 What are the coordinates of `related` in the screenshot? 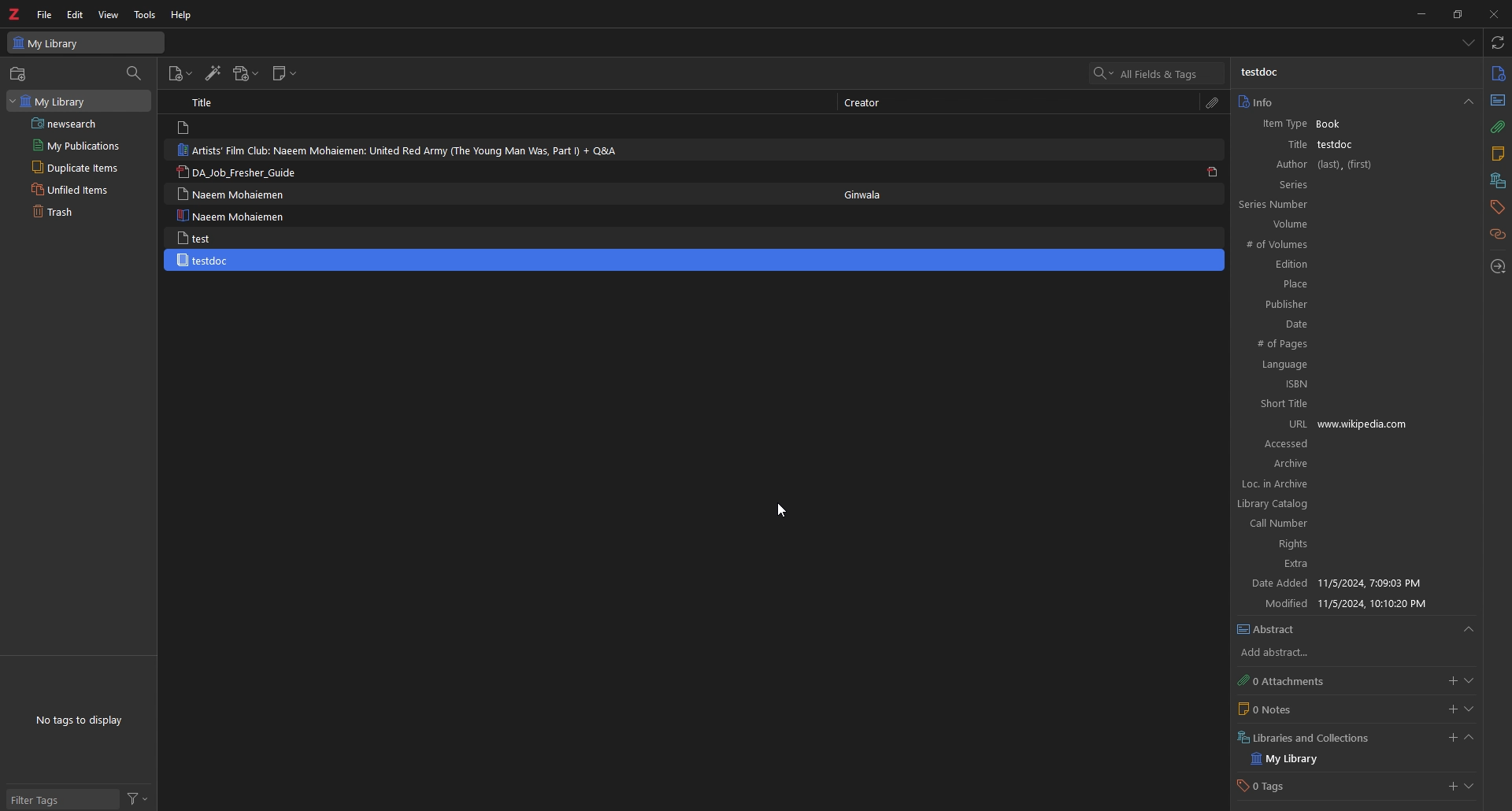 It's located at (1497, 235).